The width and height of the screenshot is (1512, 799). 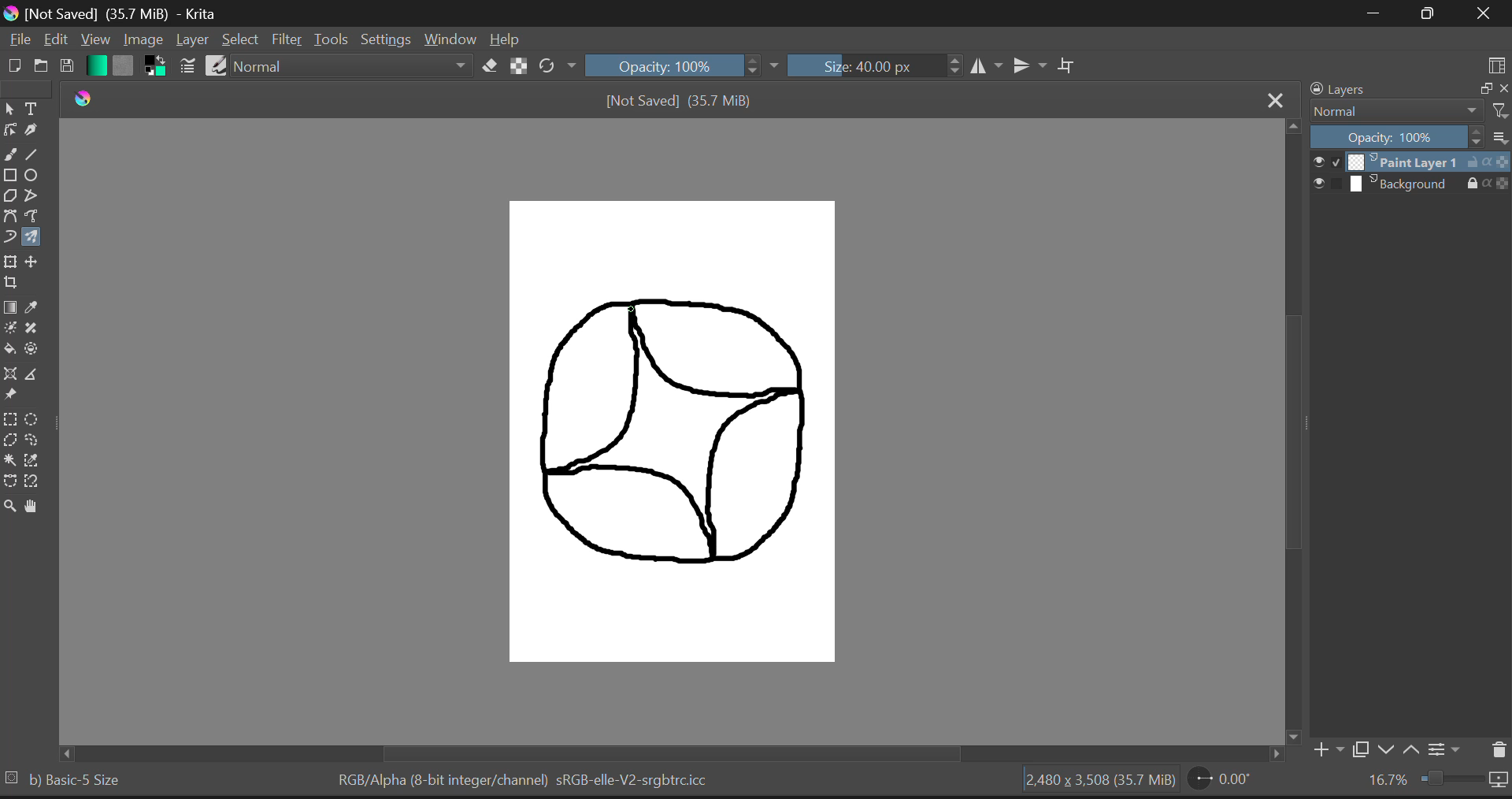 I want to click on DRAG_TO Cursor Position, so click(x=632, y=308).